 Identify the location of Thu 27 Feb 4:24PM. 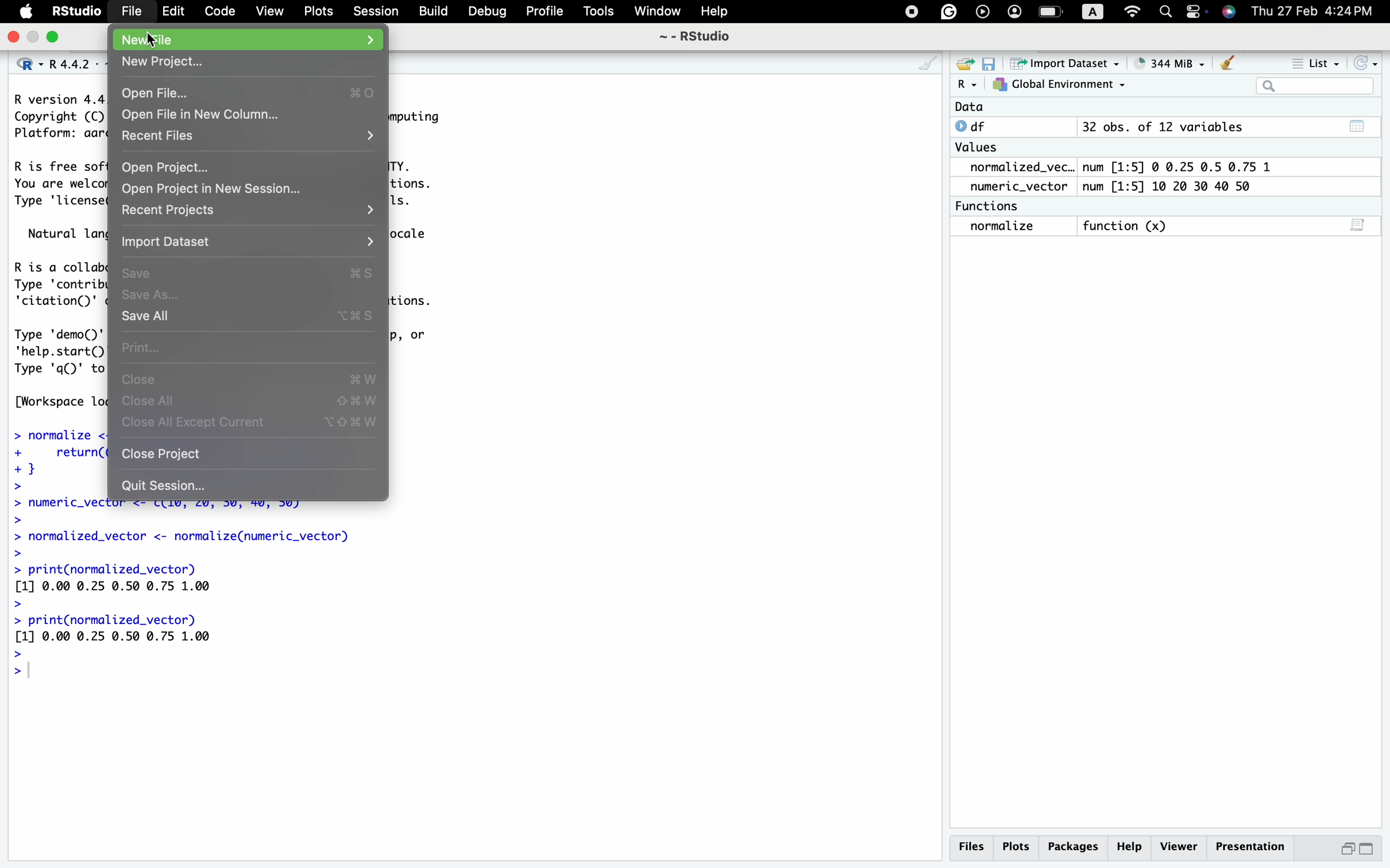
(1312, 11).